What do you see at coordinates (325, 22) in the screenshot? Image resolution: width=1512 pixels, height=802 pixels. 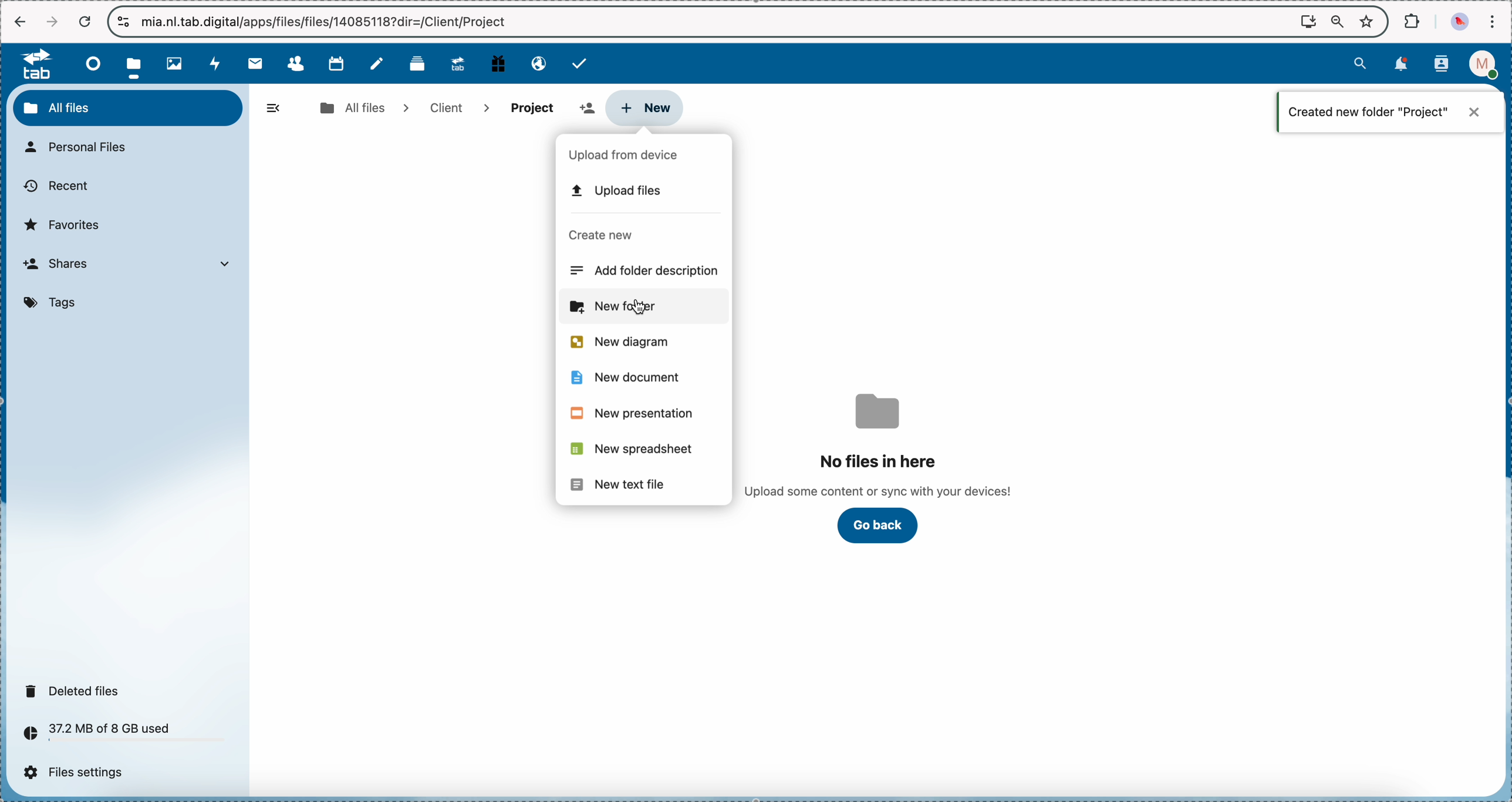 I see `url` at bounding box center [325, 22].